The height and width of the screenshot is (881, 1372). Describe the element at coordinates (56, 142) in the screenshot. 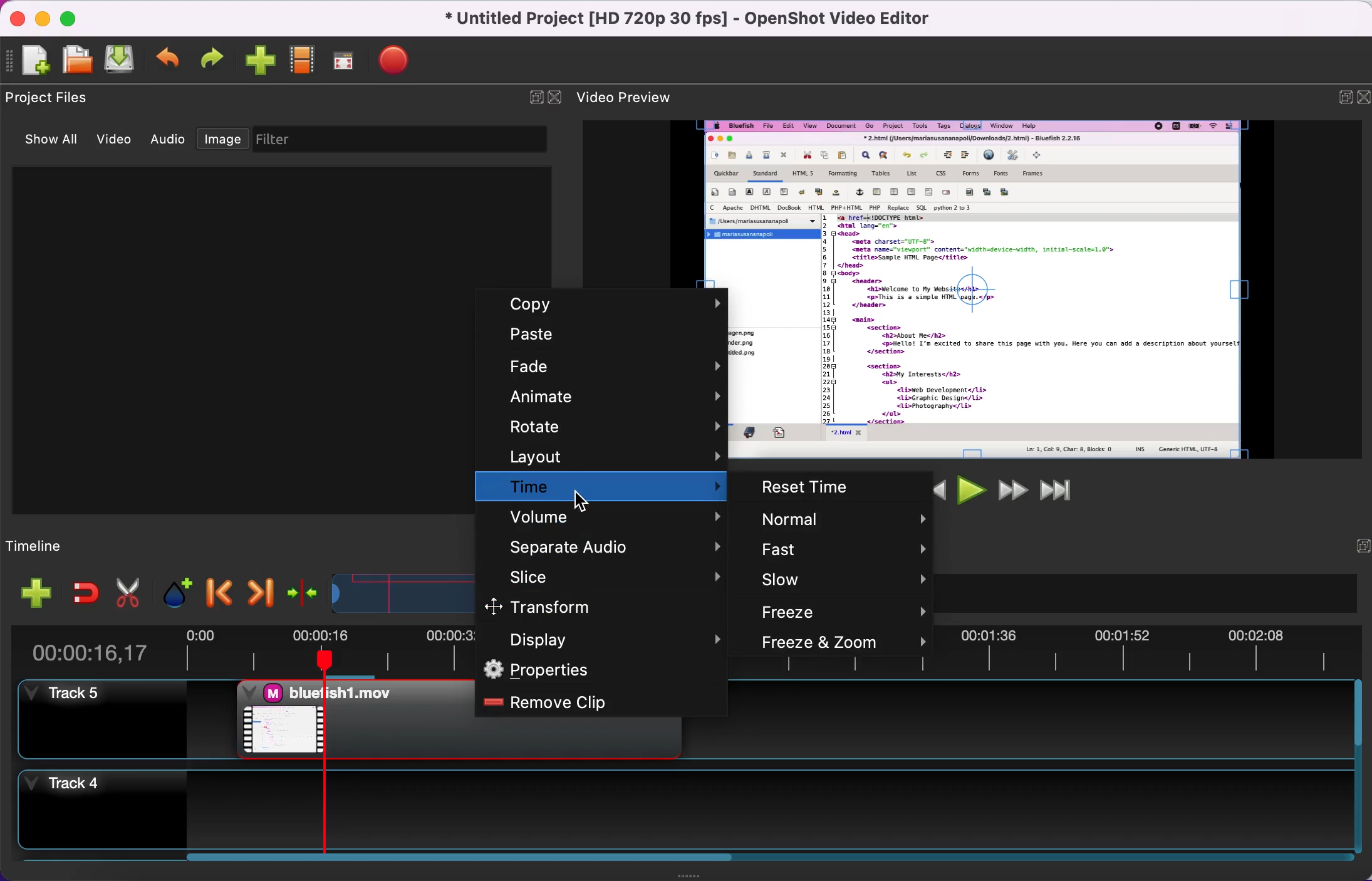

I see `show all` at that location.